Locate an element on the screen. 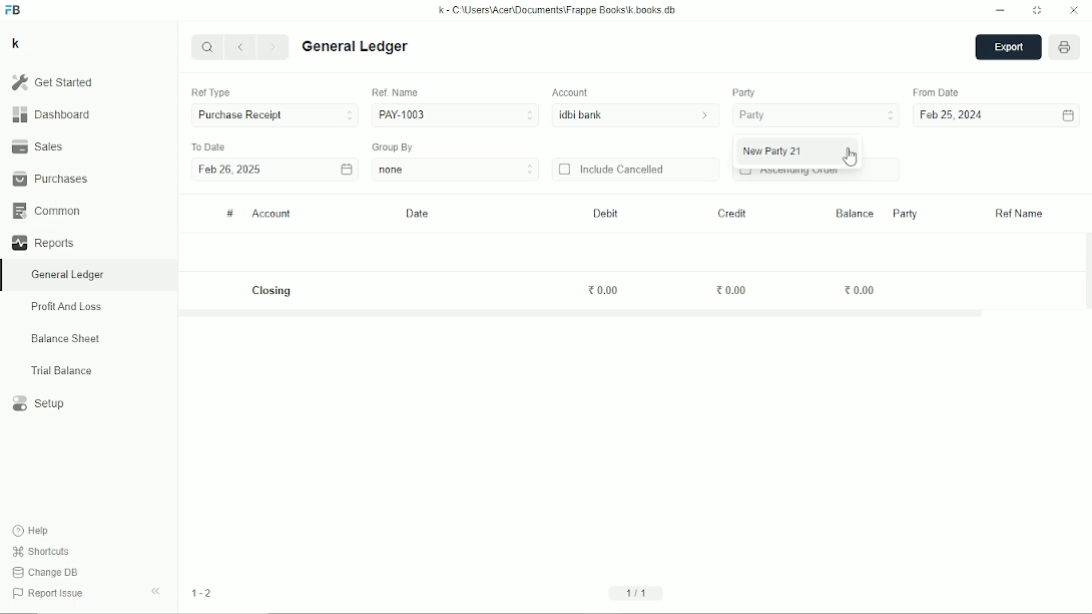 Image resolution: width=1092 pixels, height=614 pixels. Setup is located at coordinates (40, 404).